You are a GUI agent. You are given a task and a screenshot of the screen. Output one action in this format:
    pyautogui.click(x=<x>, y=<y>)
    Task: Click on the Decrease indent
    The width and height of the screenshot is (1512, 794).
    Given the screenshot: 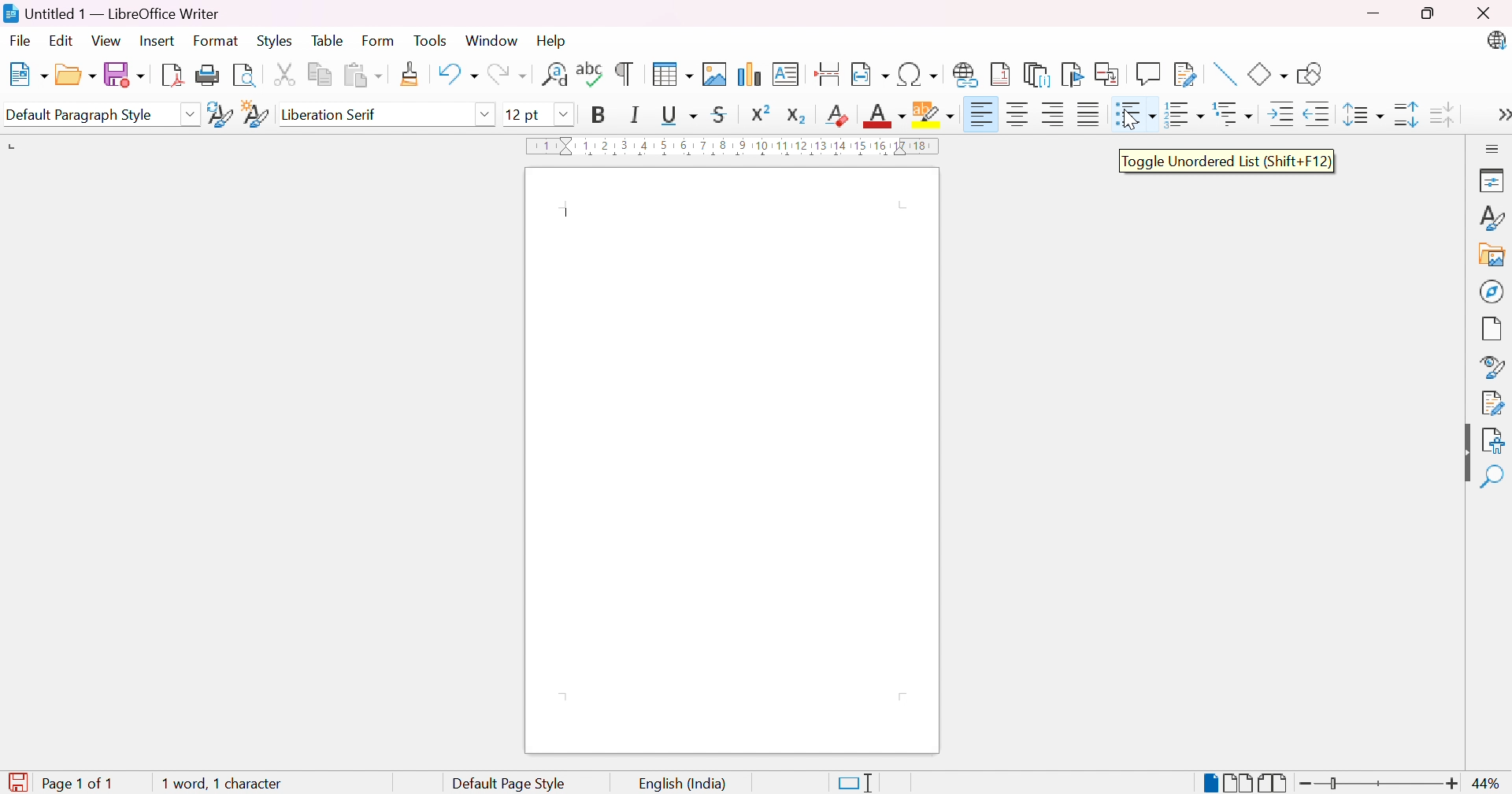 What is the action you would take?
    pyautogui.click(x=1316, y=113)
    